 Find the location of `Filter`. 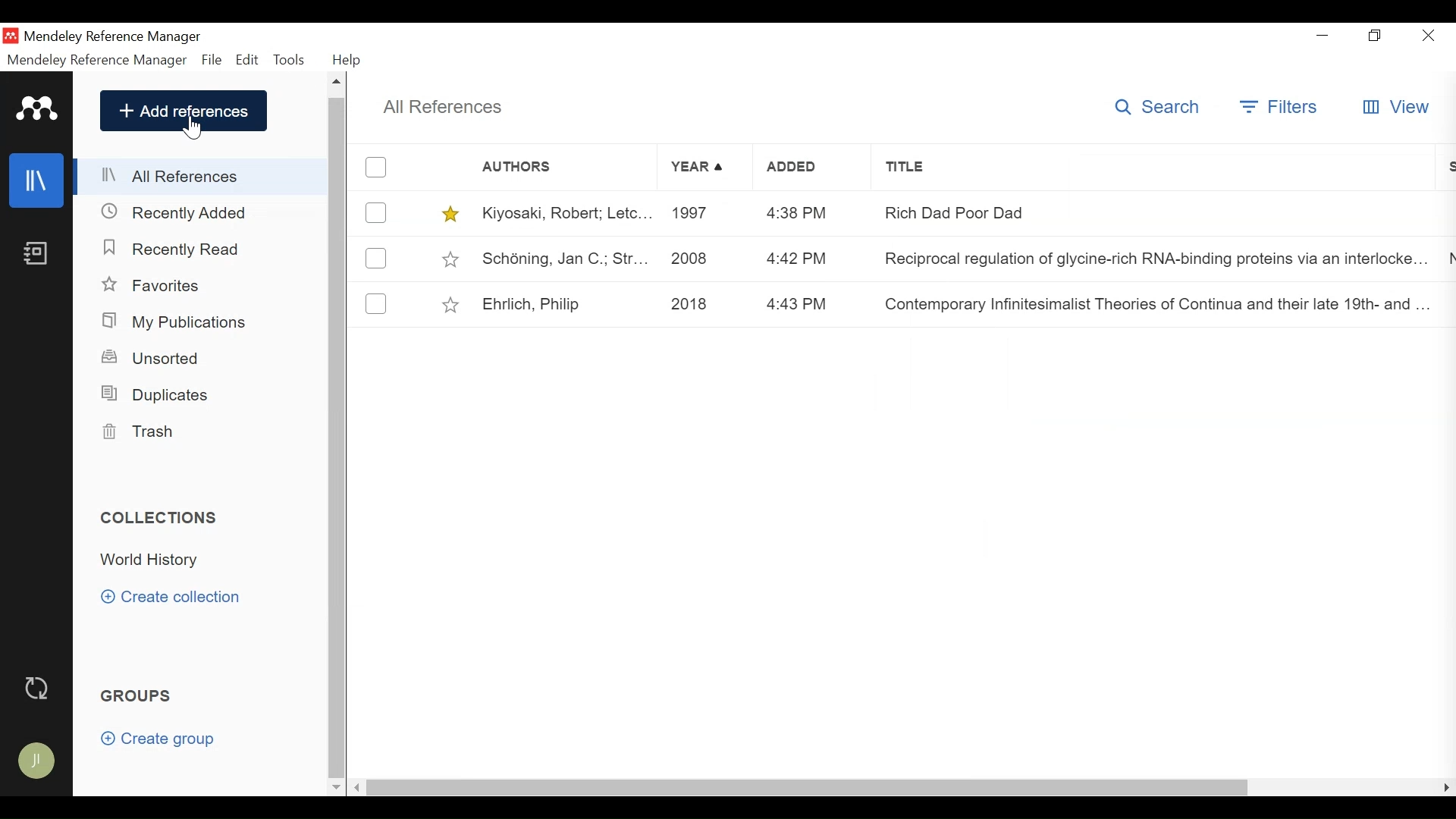

Filter is located at coordinates (1281, 106).